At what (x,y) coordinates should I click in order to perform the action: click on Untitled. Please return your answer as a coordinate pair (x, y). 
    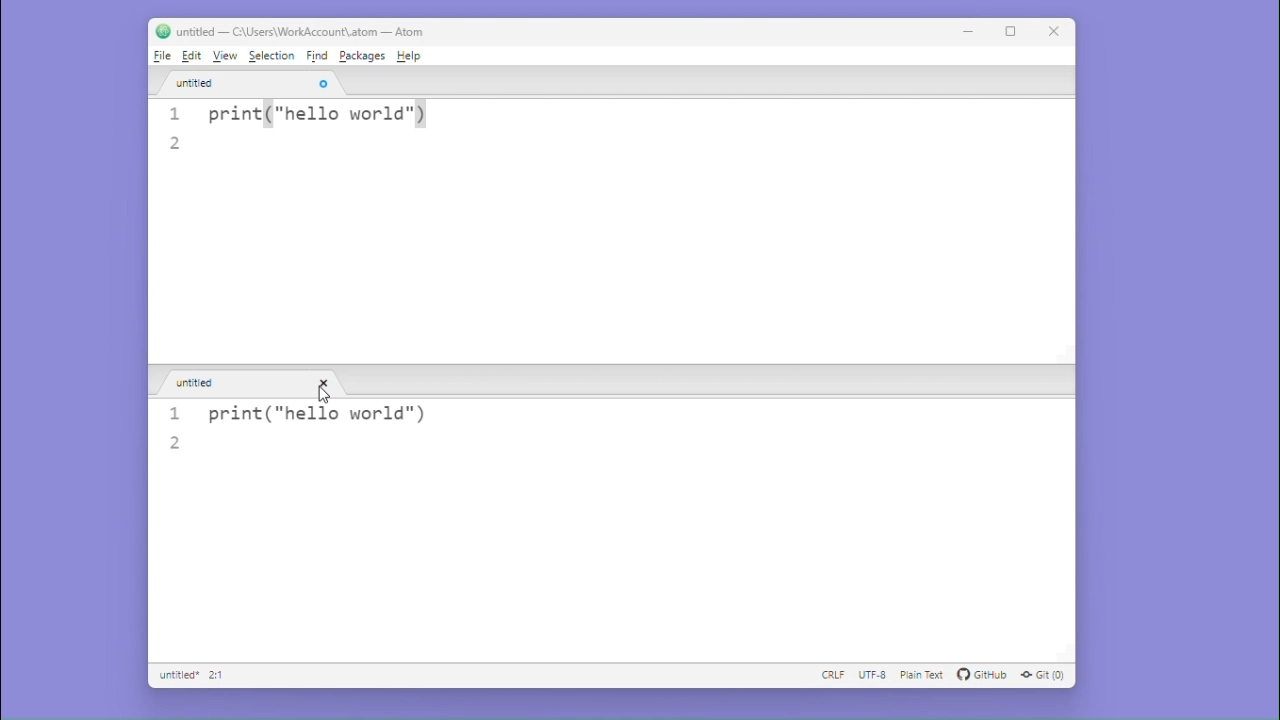
    Looking at the image, I should click on (180, 676).